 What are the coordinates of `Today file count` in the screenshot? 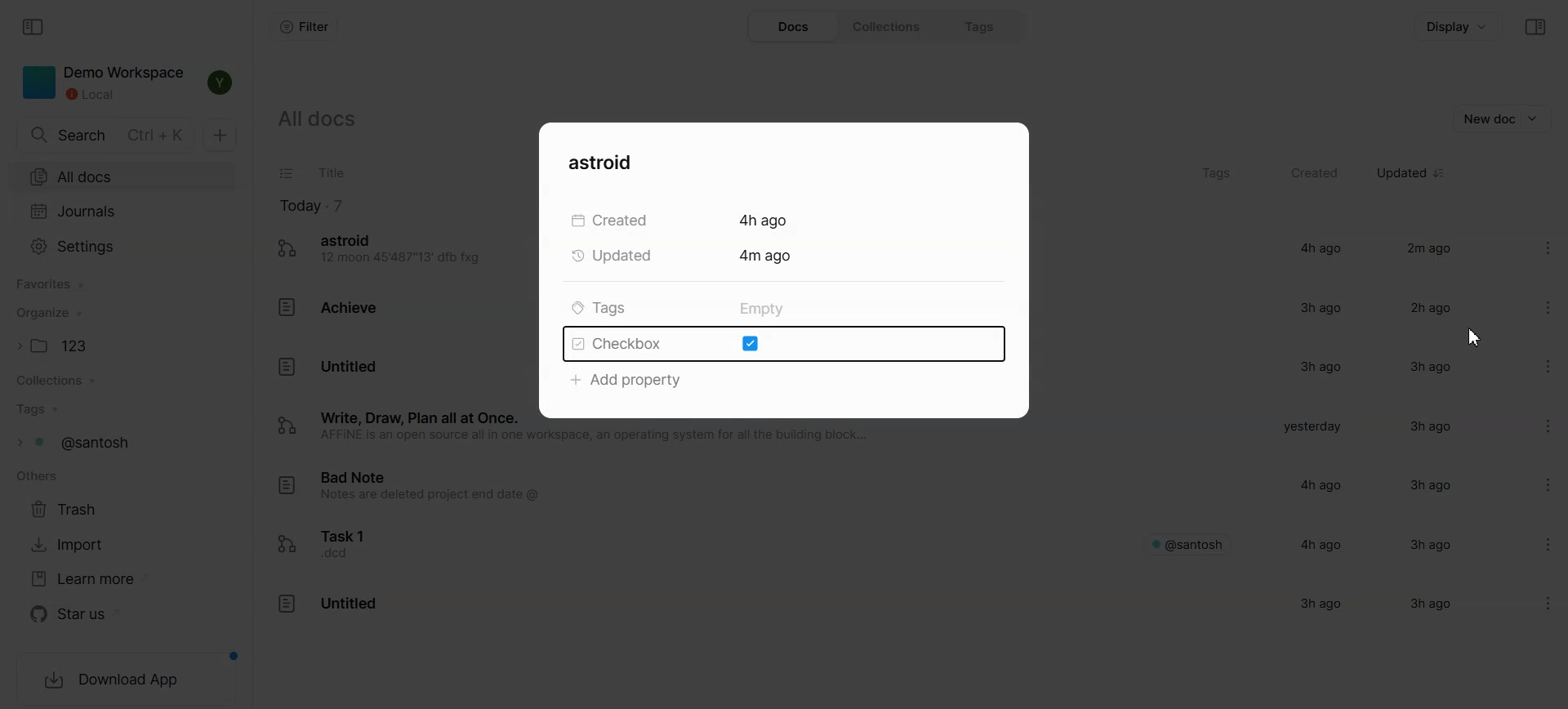 It's located at (312, 205).